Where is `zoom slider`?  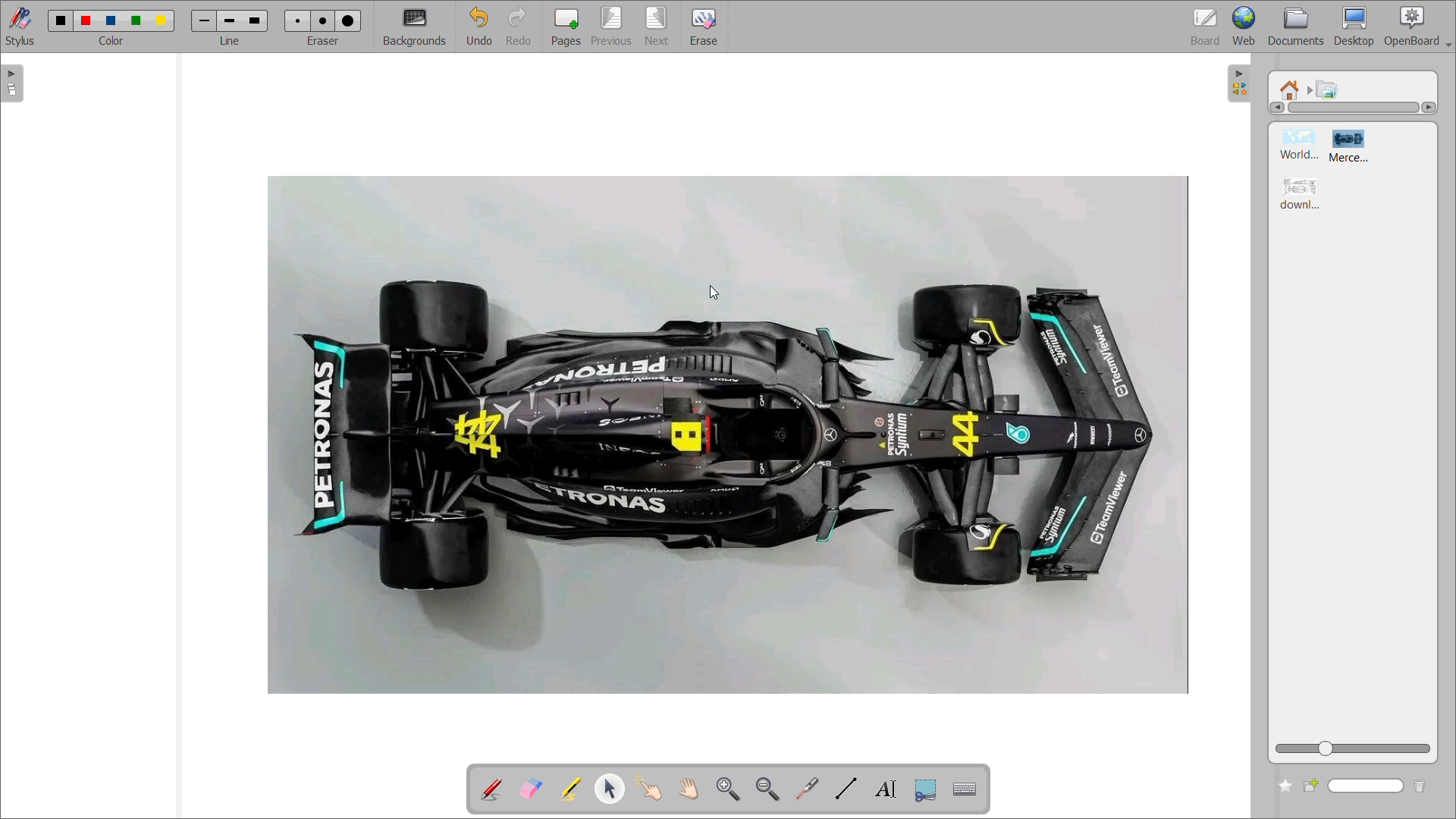
zoom slider is located at coordinates (1351, 748).